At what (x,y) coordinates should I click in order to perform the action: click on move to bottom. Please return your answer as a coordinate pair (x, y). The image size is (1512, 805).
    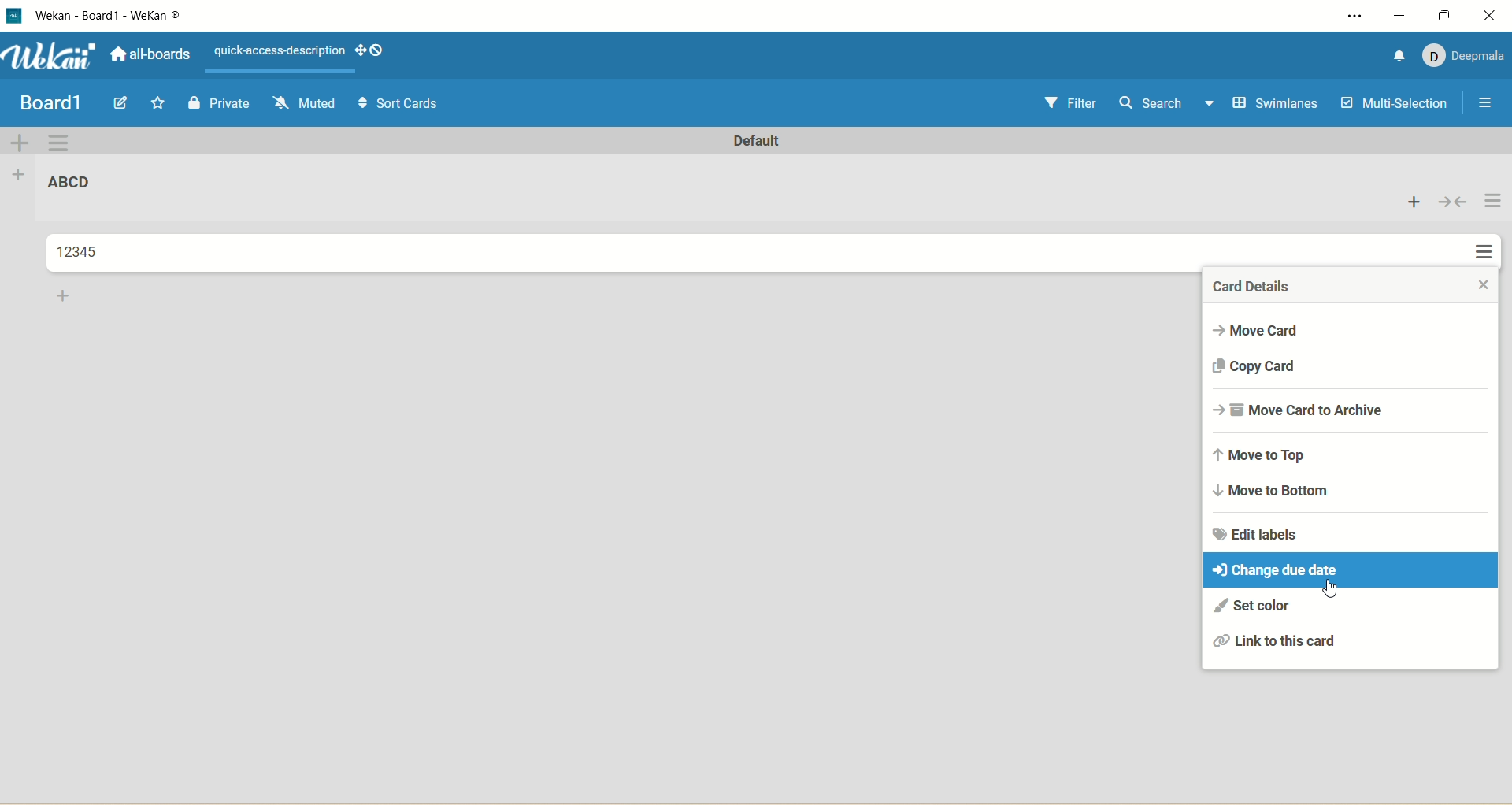
    Looking at the image, I should click on (1275, 491).